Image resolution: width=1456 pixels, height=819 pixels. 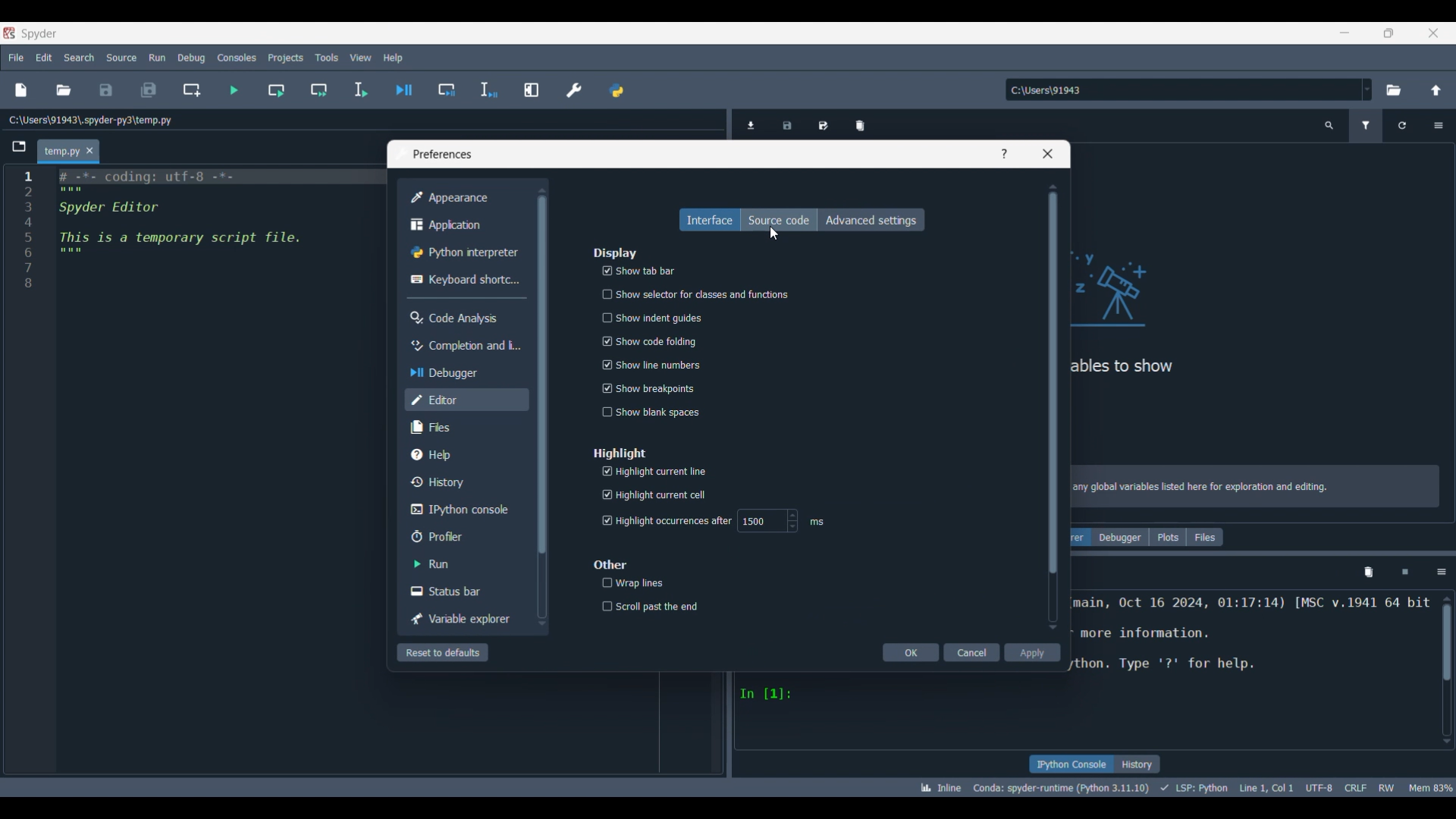 What do you see at coordinates (467, 428) in the screenshot?
I see `Files` at bounding box center [467, 428].